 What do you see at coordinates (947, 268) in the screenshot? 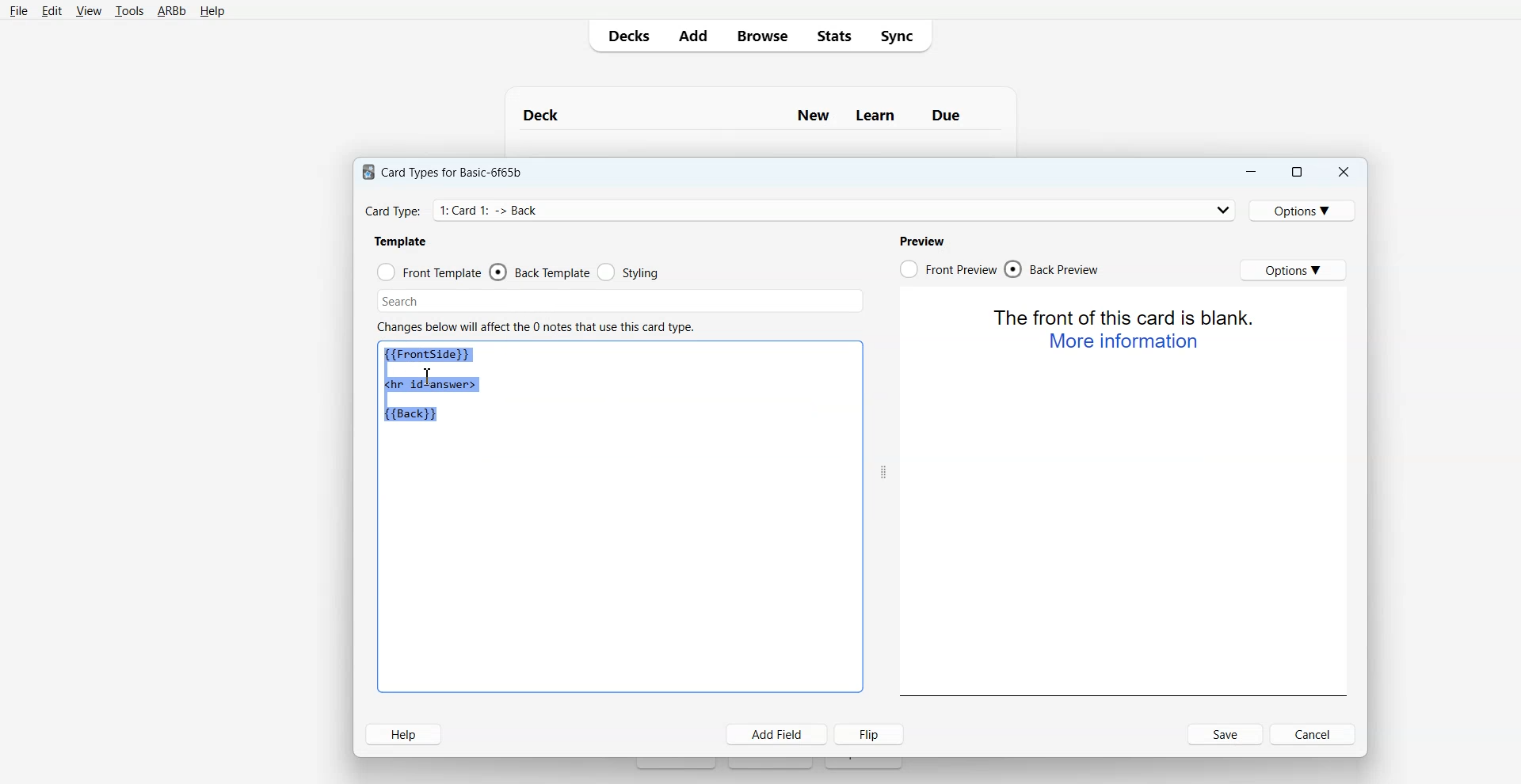
I see `Front Preview` at bounding box center [947, 268].